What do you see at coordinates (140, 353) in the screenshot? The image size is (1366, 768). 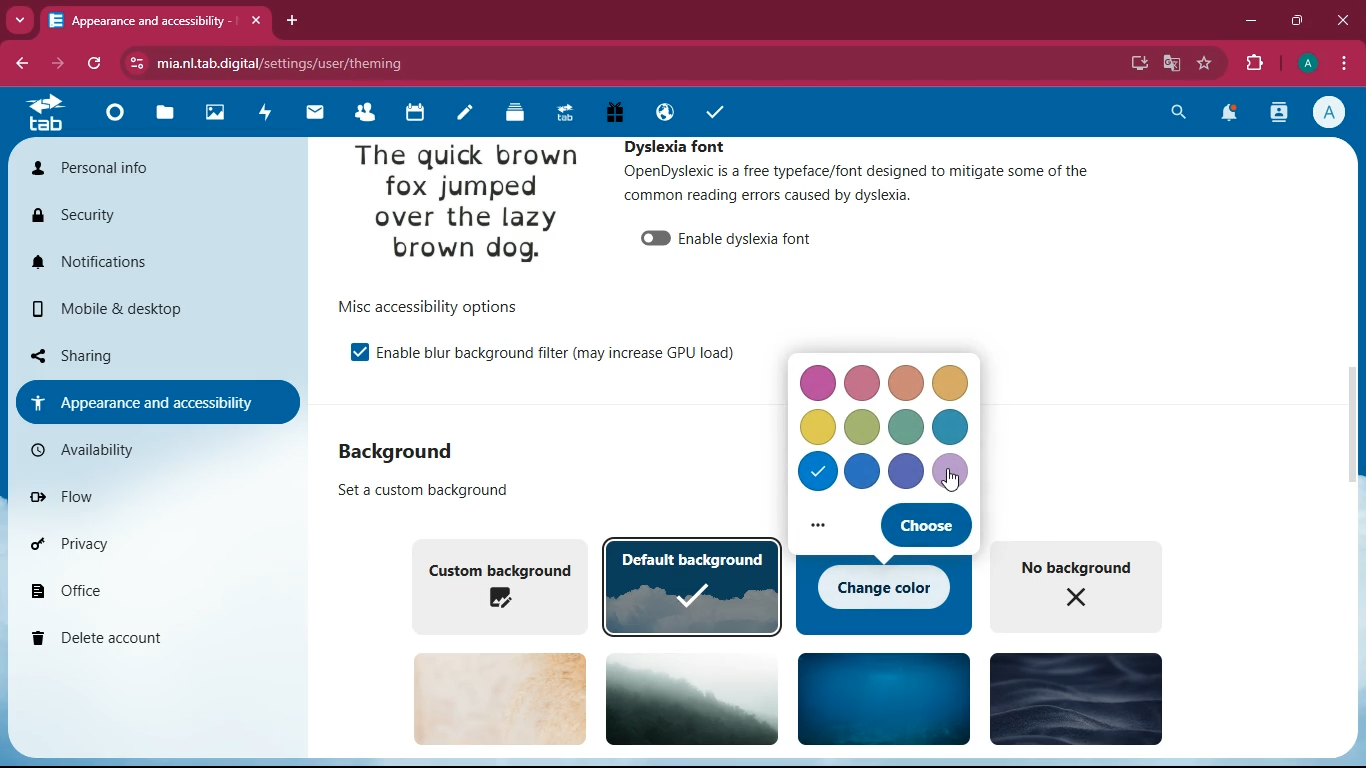 I see `sharing` at bounding box center [140, 353].